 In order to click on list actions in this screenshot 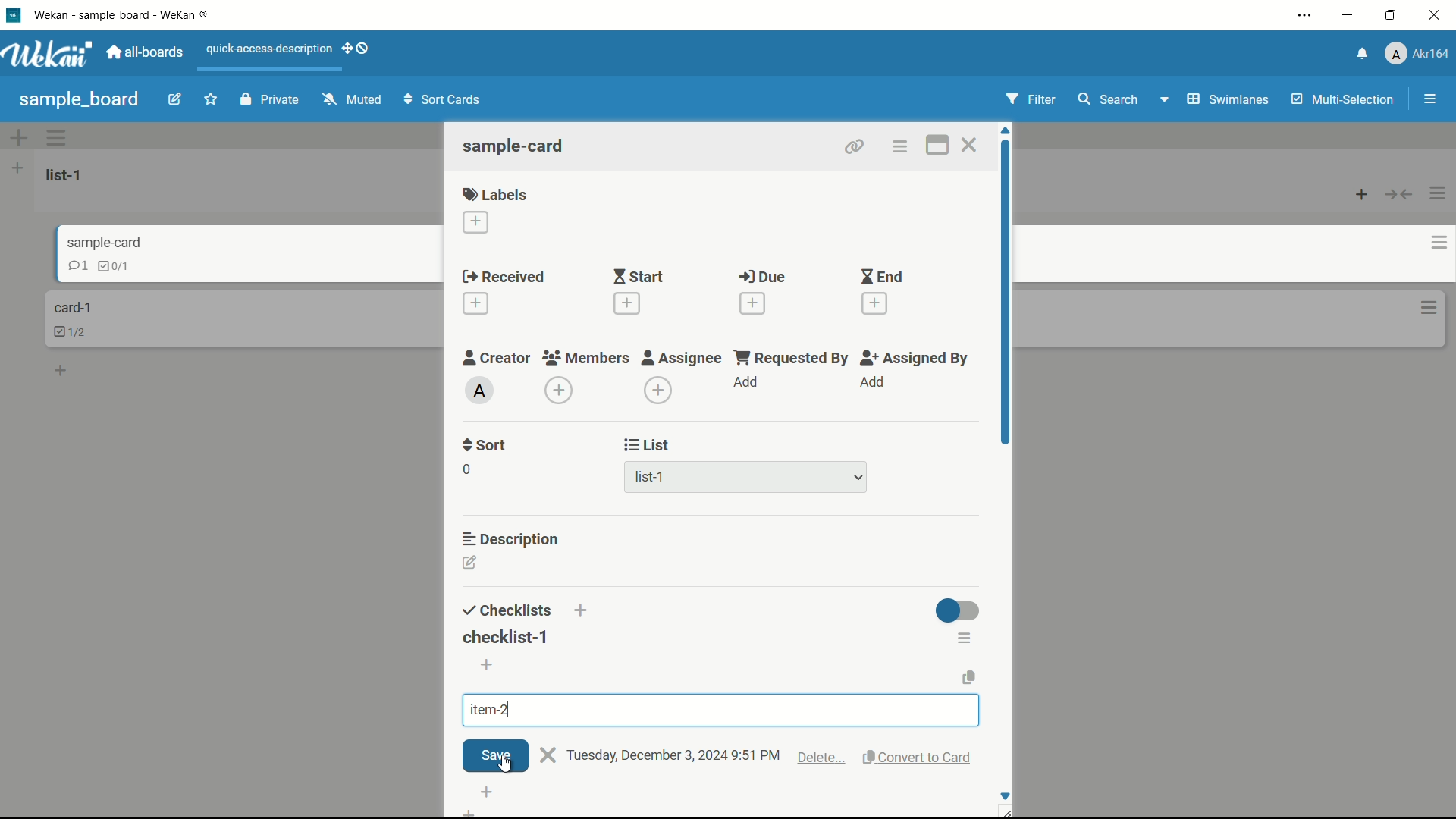, I will do `click(1439, 193)`.